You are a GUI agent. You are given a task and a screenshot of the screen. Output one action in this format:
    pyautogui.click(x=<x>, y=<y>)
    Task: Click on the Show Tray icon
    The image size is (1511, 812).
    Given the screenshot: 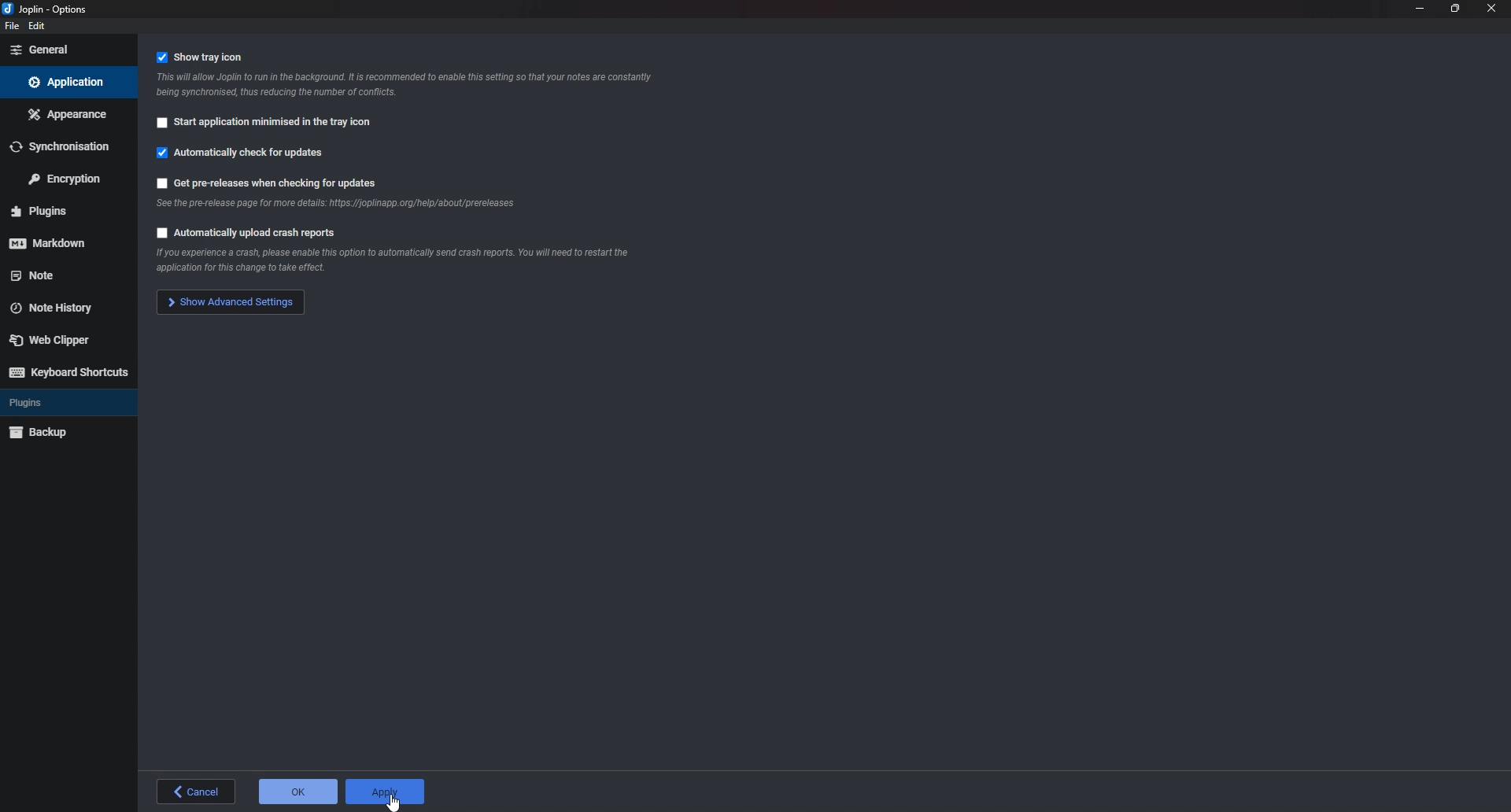 What is the action you would take?
    pyautogui.click(x=209, y=57)
    